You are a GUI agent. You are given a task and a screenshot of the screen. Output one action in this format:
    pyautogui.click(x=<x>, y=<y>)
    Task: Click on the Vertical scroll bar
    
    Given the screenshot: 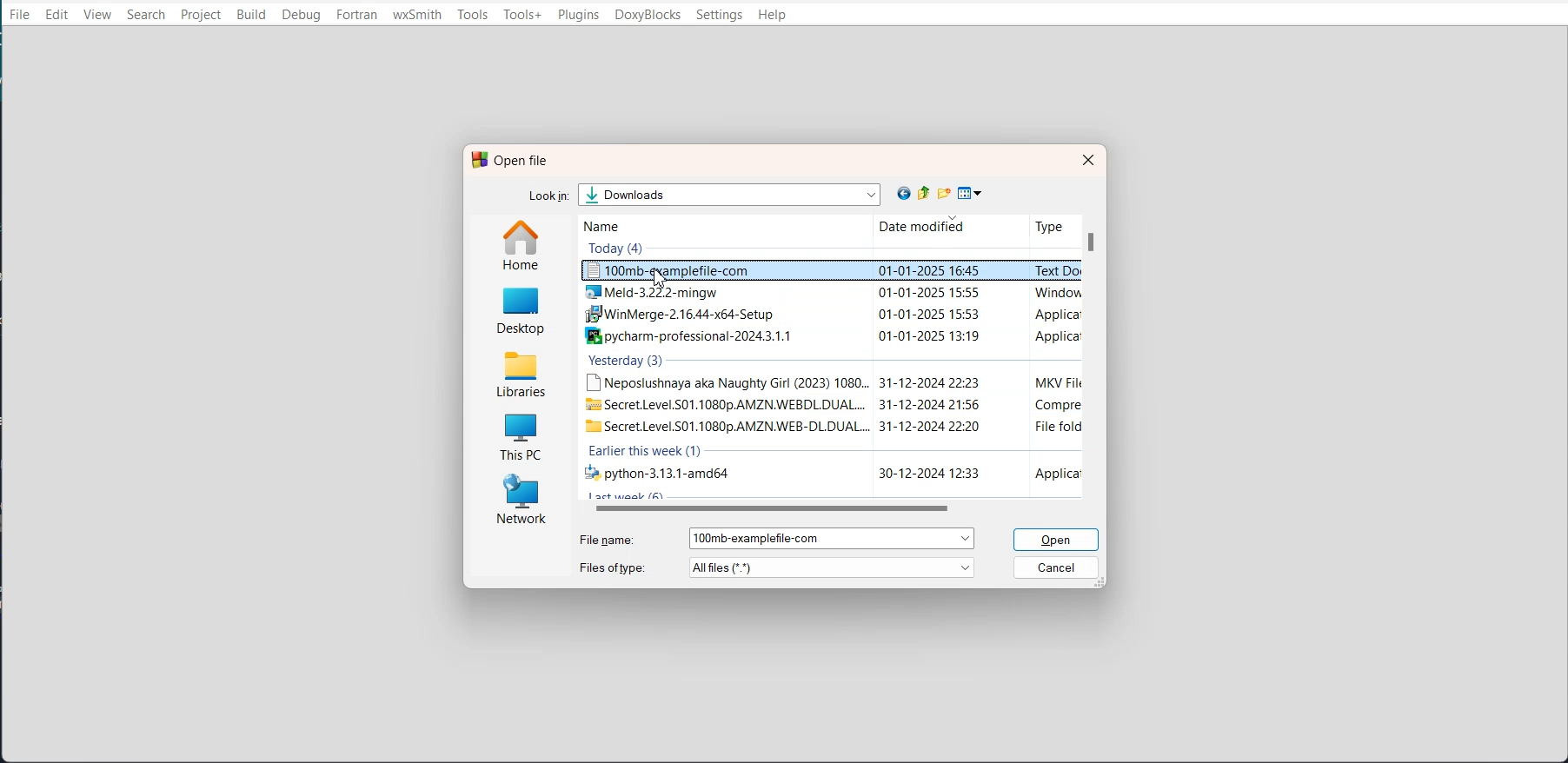 What is the action you would take?
    pyautogui.click(x=1093, y=356)
    